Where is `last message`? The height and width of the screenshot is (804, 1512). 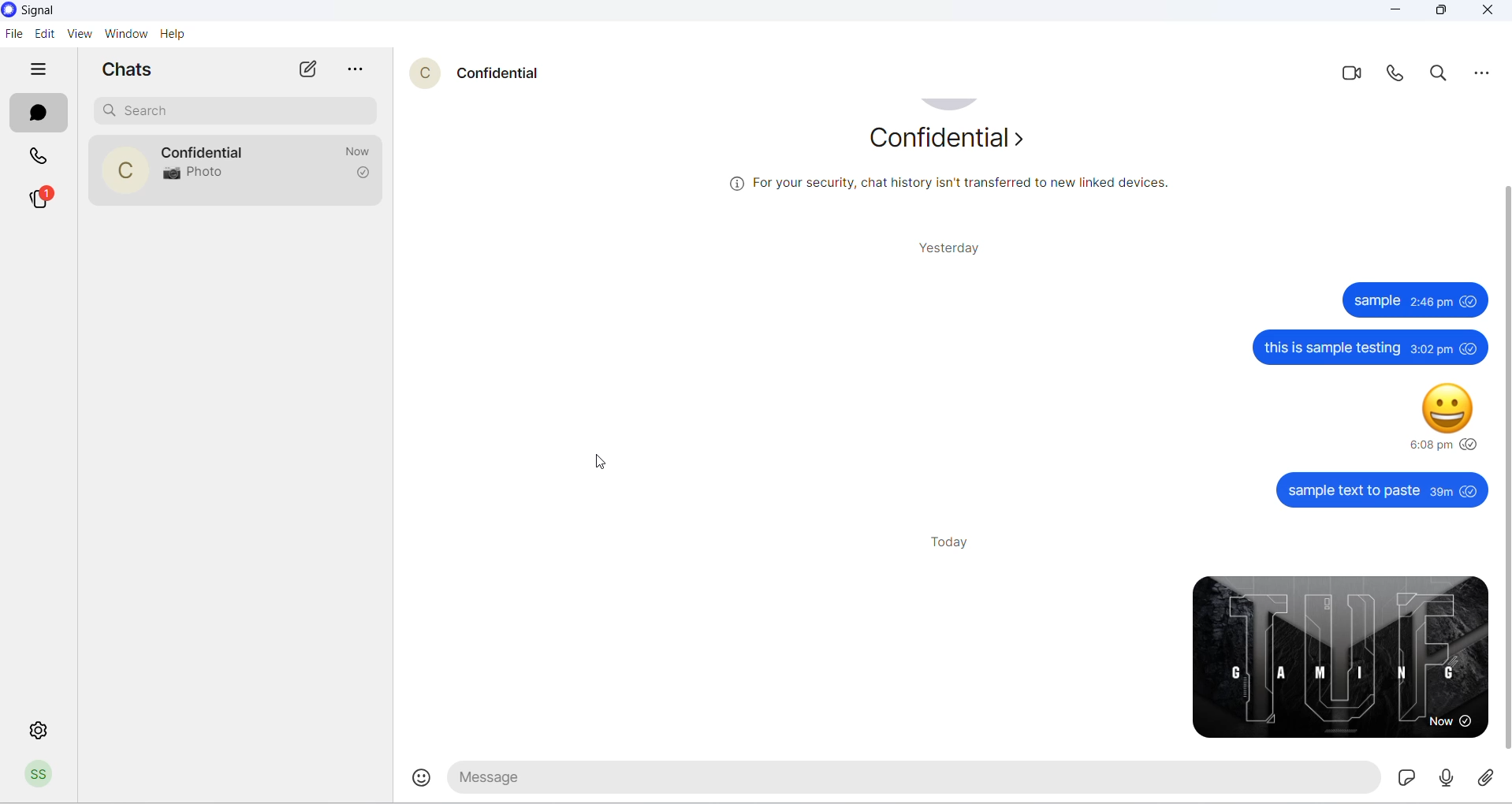 last message is located at coordinates (196, 174).